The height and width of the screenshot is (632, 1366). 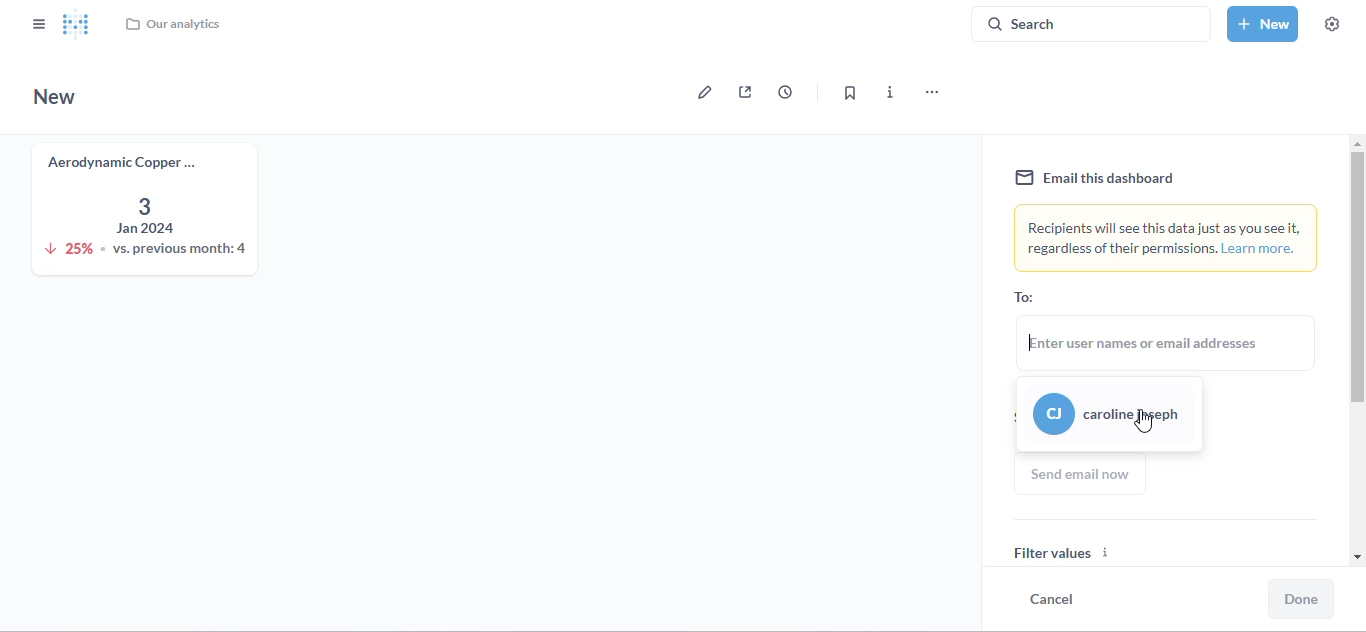 What do you see at coordinates (1301, 599) in the screenshot?
I see `done` at bounding box center [1301, 599].